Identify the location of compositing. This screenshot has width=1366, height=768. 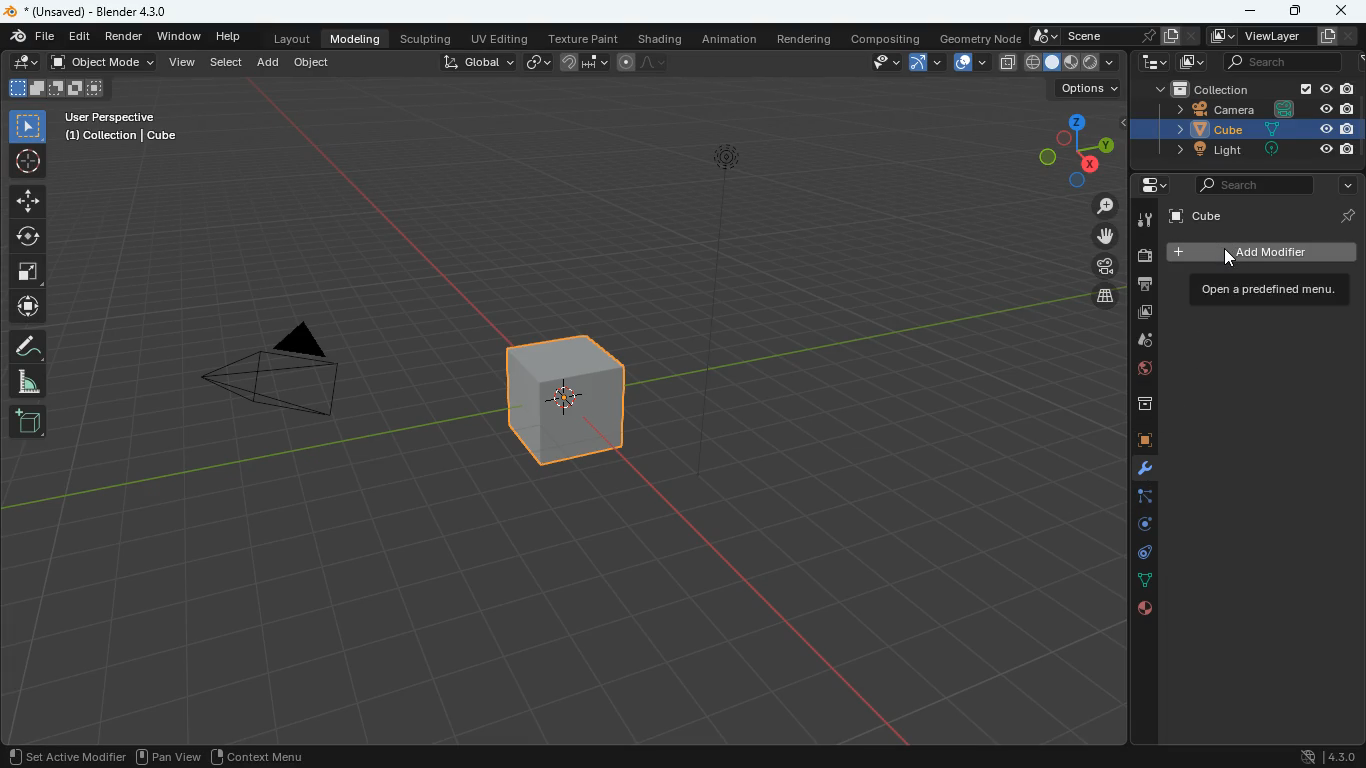
(887, 38).